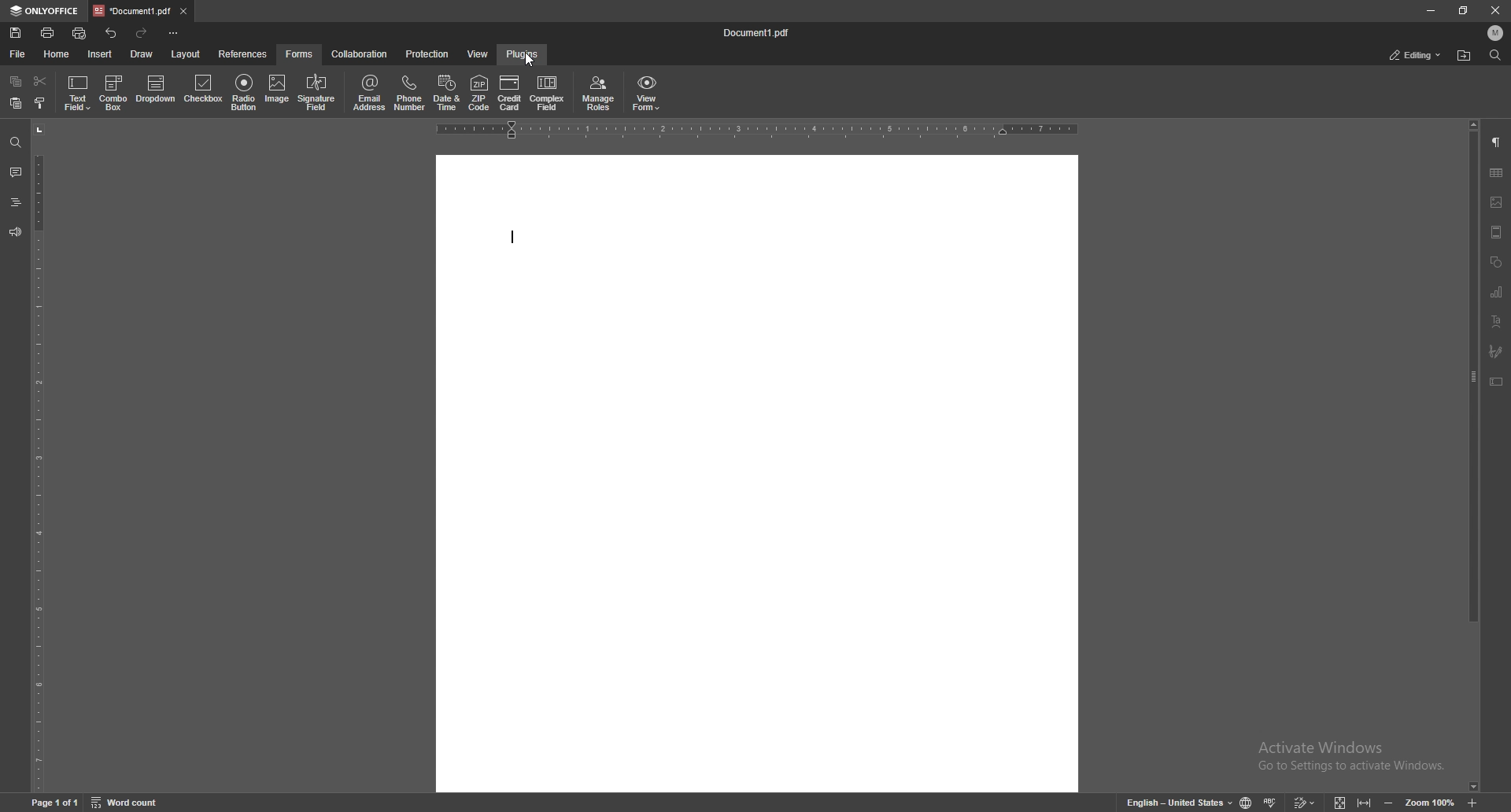 Image resolution: width=1511 pixels, height=812 pixels. Describe the element at coordinates (16, 232) in the screenshot. I see `feedback` at that location.